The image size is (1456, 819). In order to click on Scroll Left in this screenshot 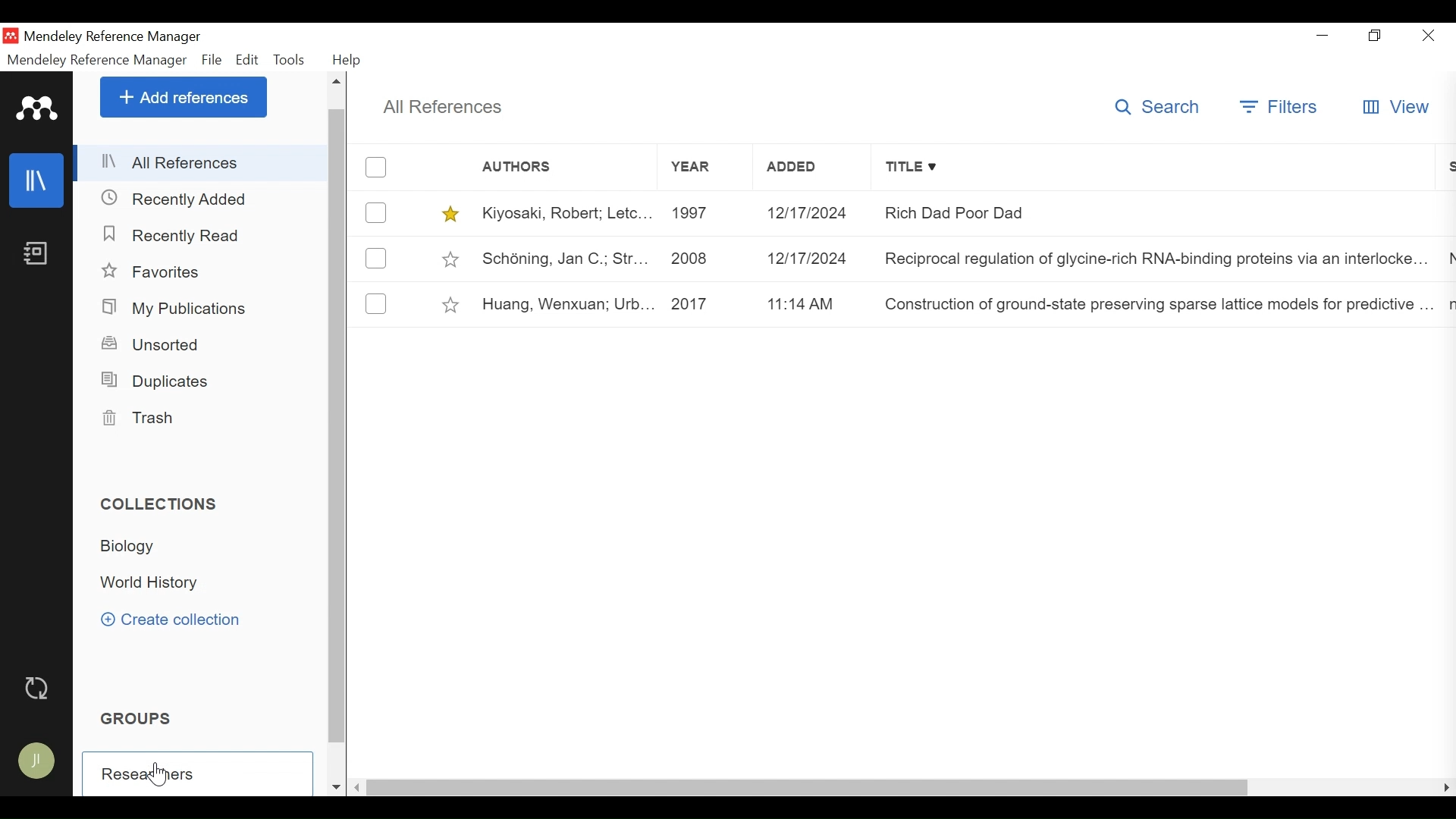, I will do `click(1447, 788)`.